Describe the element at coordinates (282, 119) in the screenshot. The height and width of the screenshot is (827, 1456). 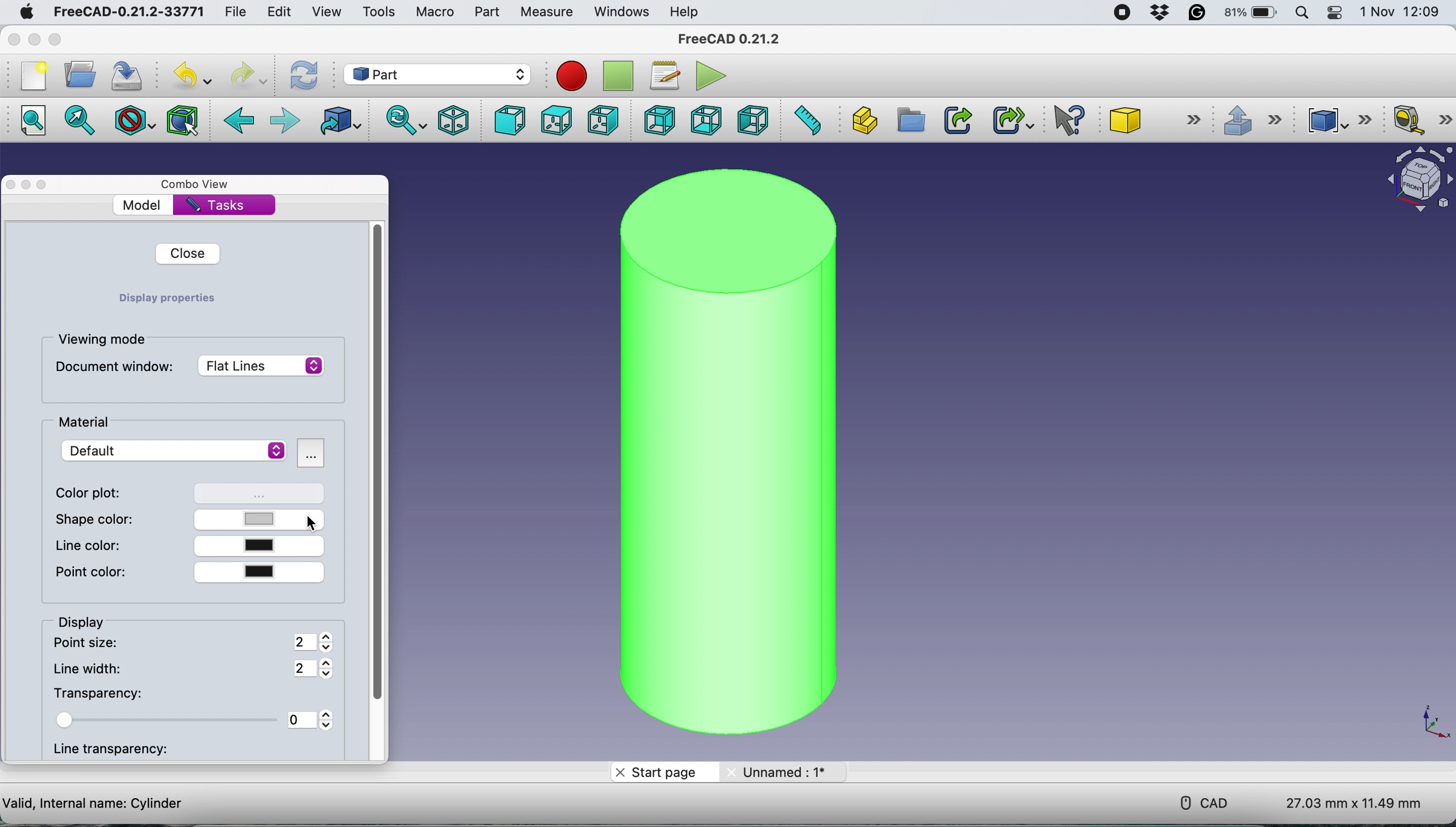
I see `forward` at that location.